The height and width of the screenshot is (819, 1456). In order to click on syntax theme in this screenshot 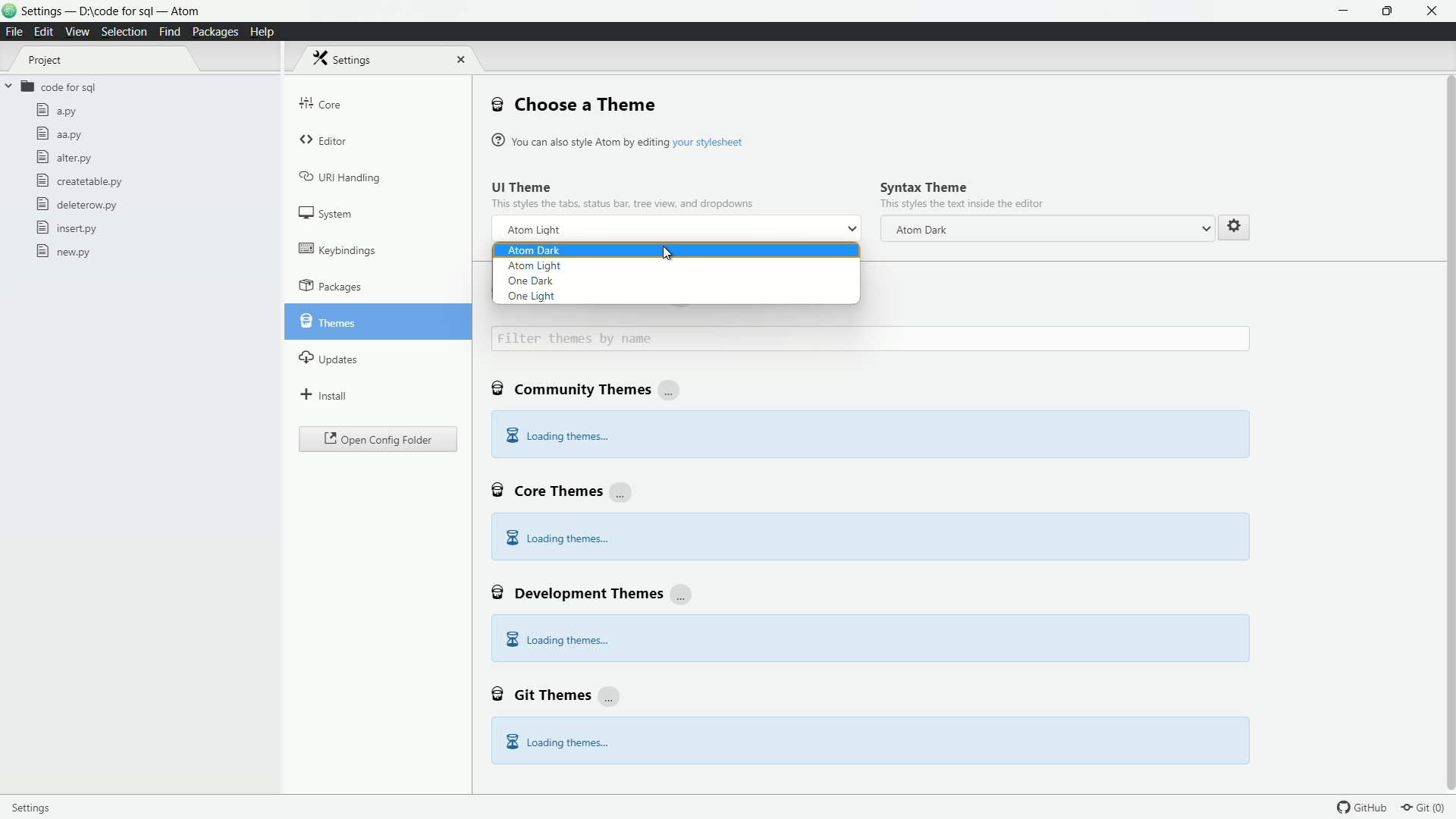, I will do `click(924, 187)`.